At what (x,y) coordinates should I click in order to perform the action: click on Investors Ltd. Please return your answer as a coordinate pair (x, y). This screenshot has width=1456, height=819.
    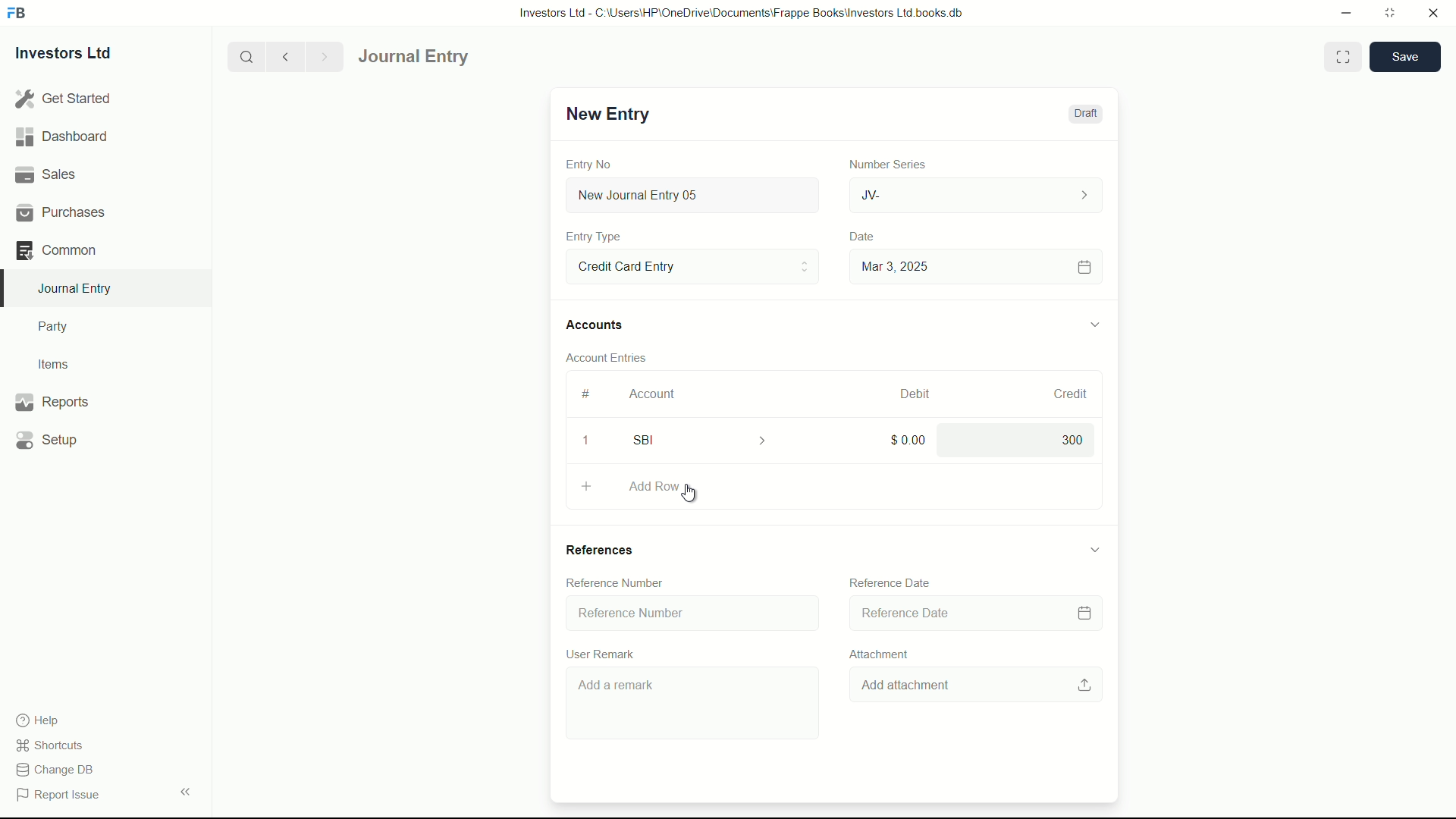
    Looking at the image, I should click on (77, 55).